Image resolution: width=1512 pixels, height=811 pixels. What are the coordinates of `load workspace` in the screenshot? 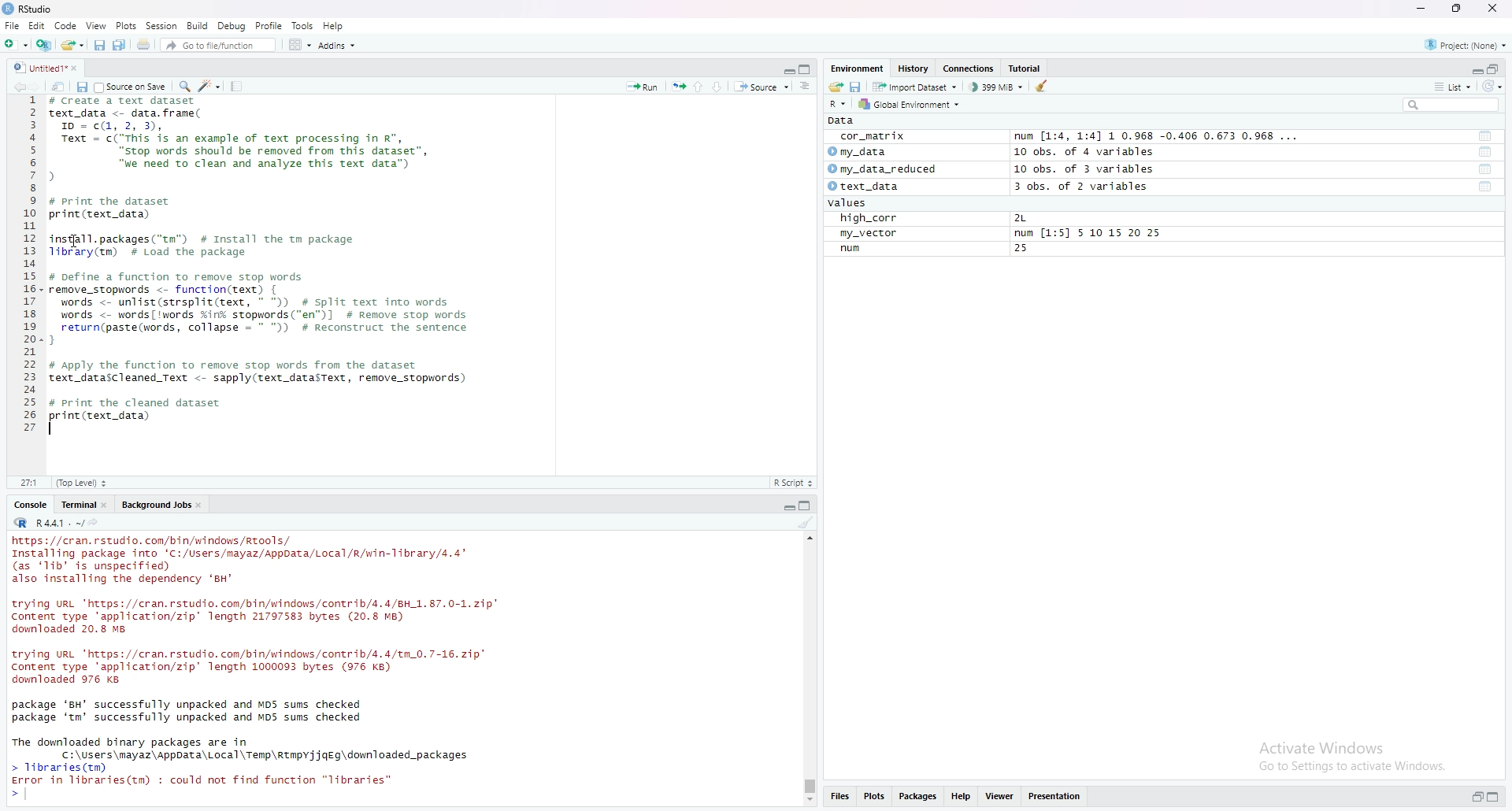 It's located at (834, 87).